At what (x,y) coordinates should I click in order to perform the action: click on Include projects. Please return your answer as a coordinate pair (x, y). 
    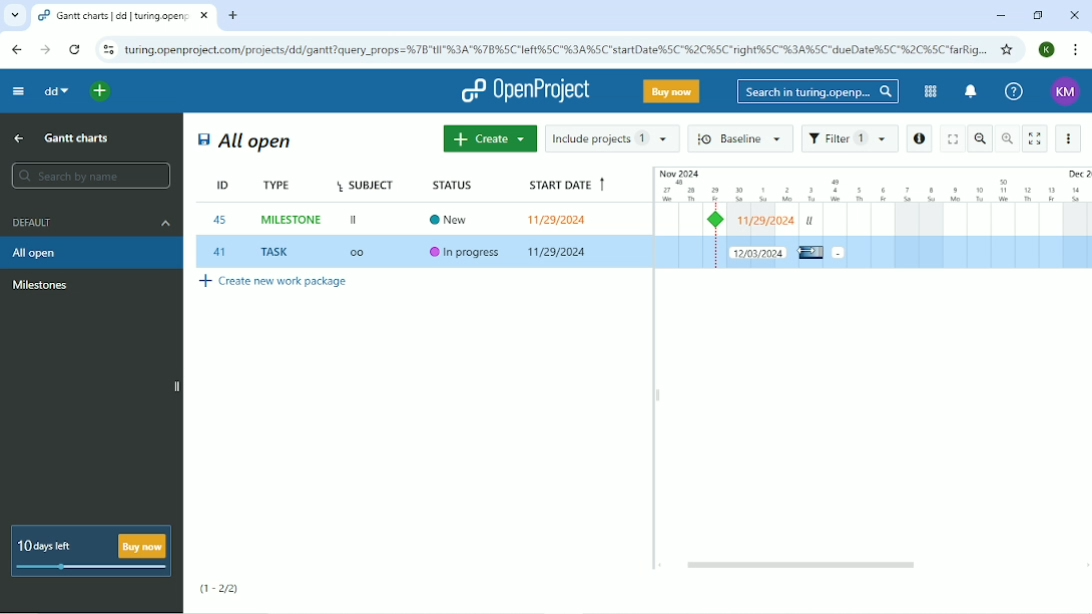
    Looking at the image, I should click on (612, 138).